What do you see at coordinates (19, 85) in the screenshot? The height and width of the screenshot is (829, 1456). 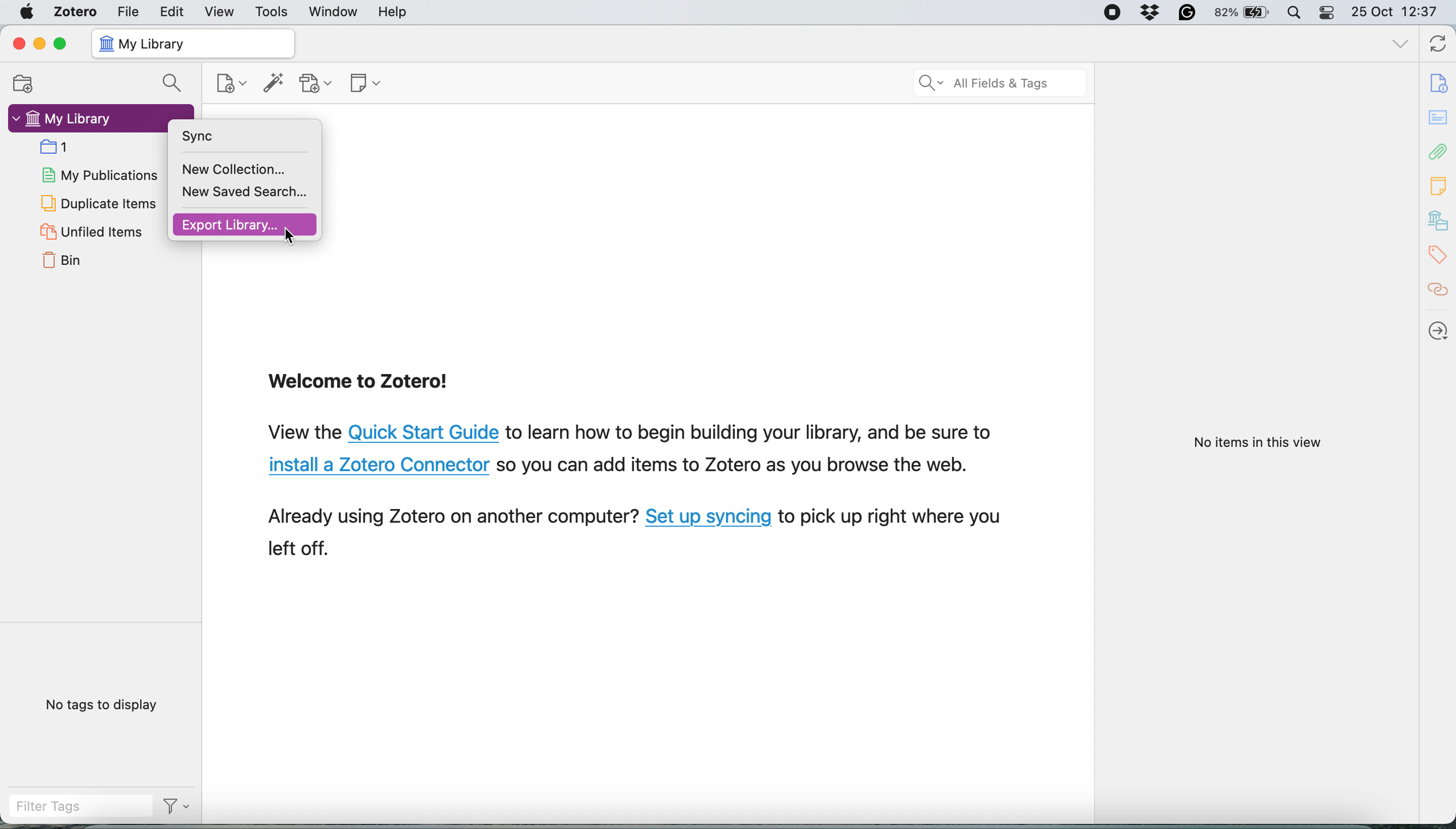 I see `new collection` at bounding box center [19, 85].